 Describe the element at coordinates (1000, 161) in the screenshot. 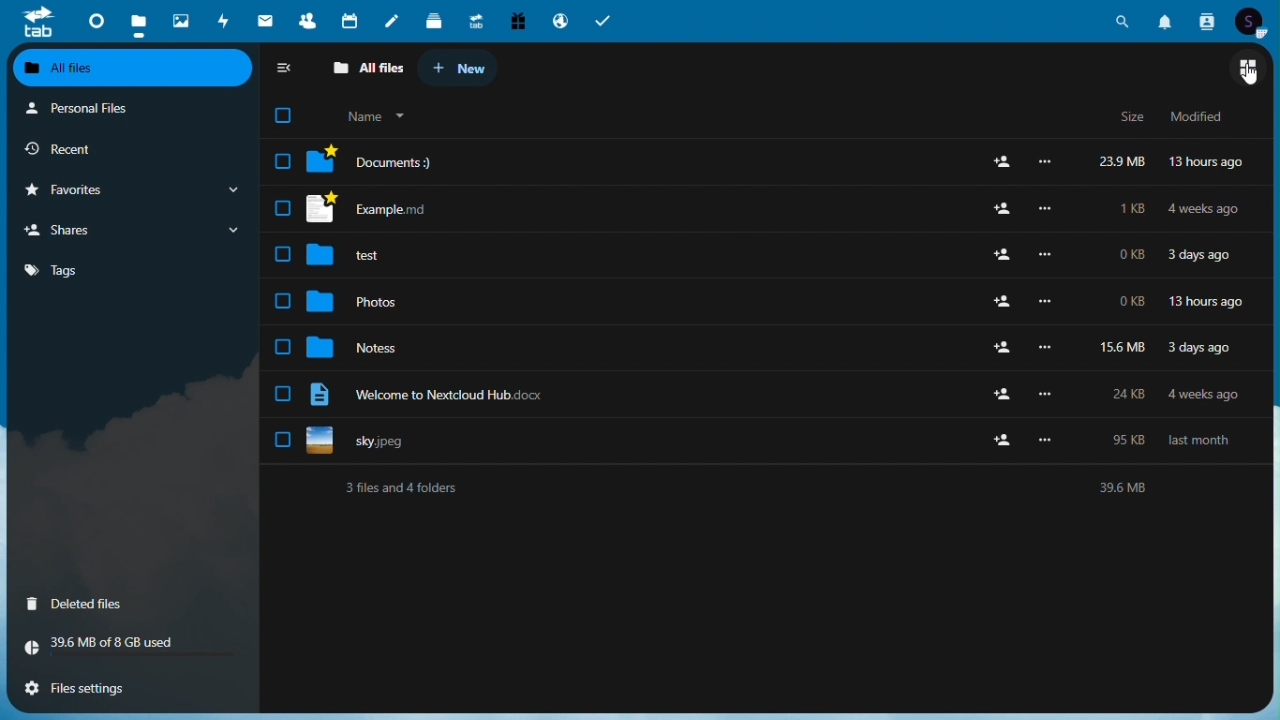

I see `add user` at that location.